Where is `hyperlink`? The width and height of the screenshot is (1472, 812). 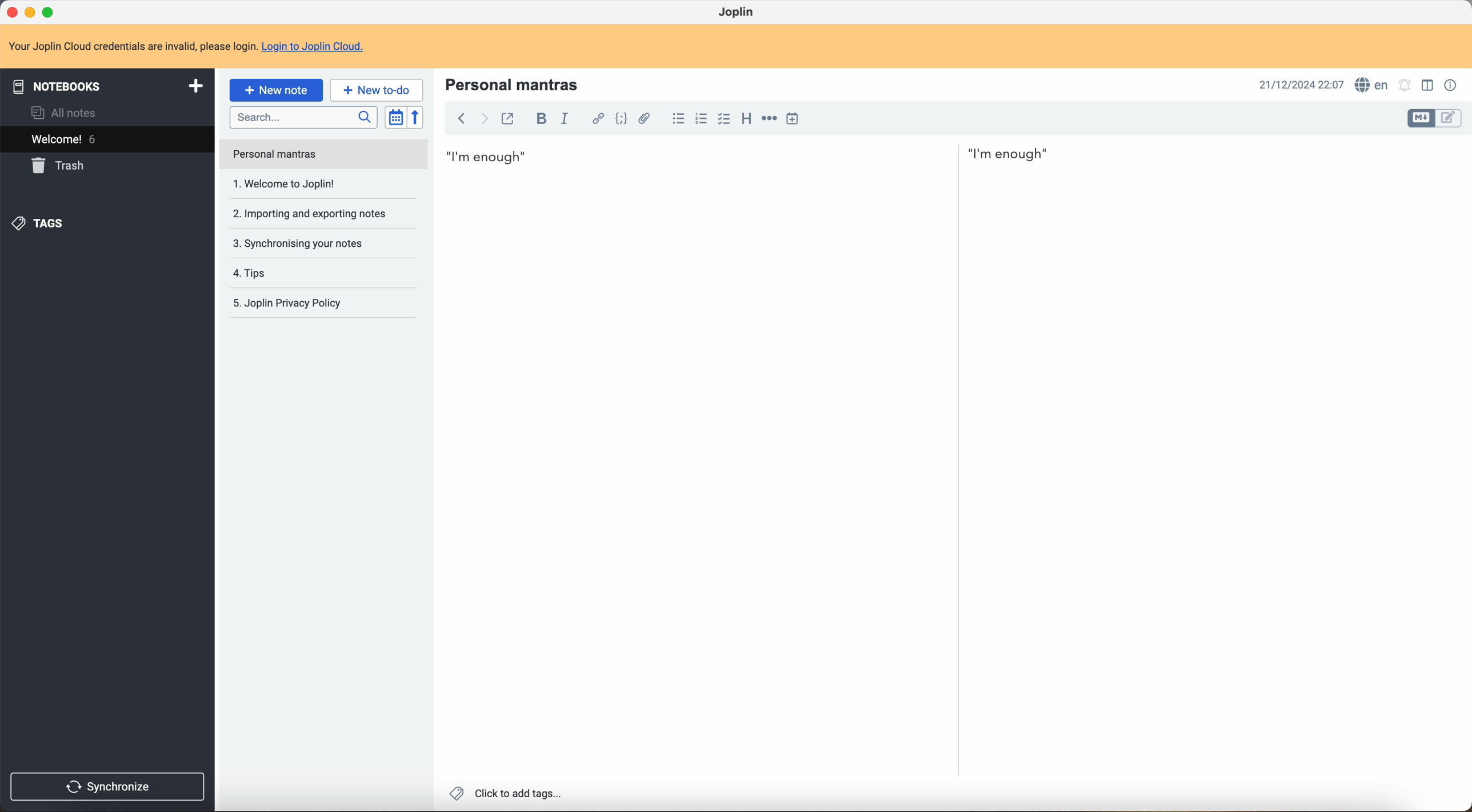
hyperlink is located at coordinates (597, 119).